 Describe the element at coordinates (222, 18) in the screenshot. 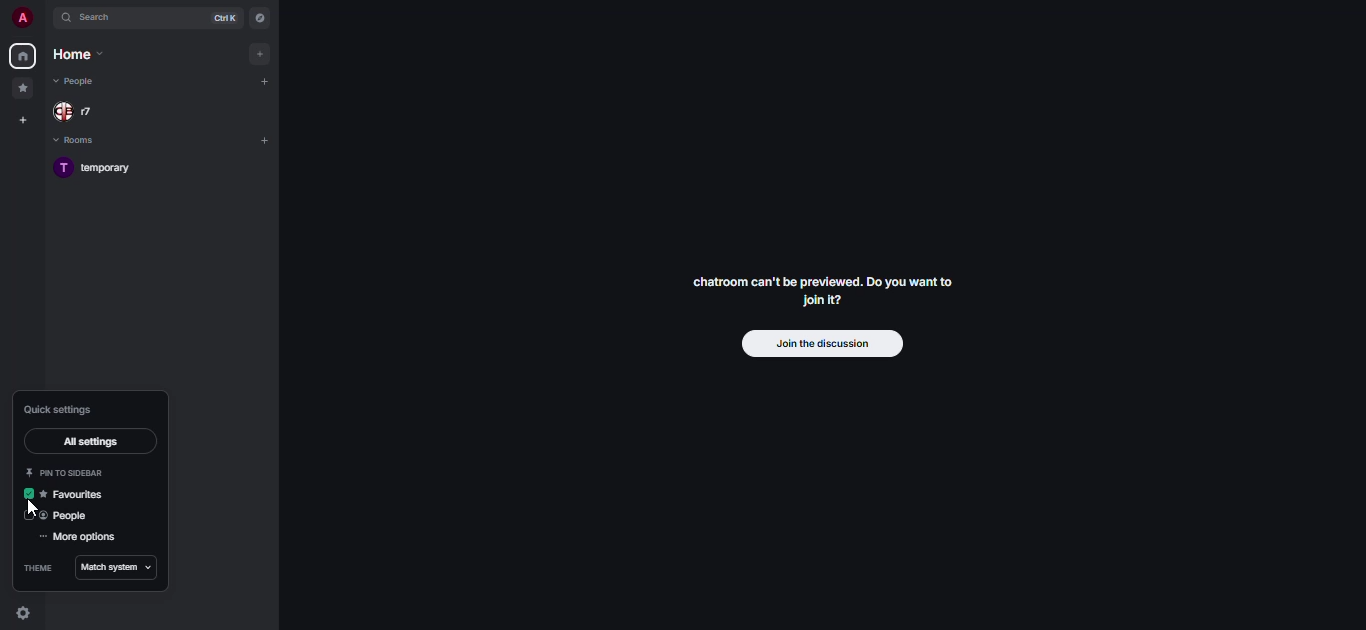

I see `ctrl K` at that location.